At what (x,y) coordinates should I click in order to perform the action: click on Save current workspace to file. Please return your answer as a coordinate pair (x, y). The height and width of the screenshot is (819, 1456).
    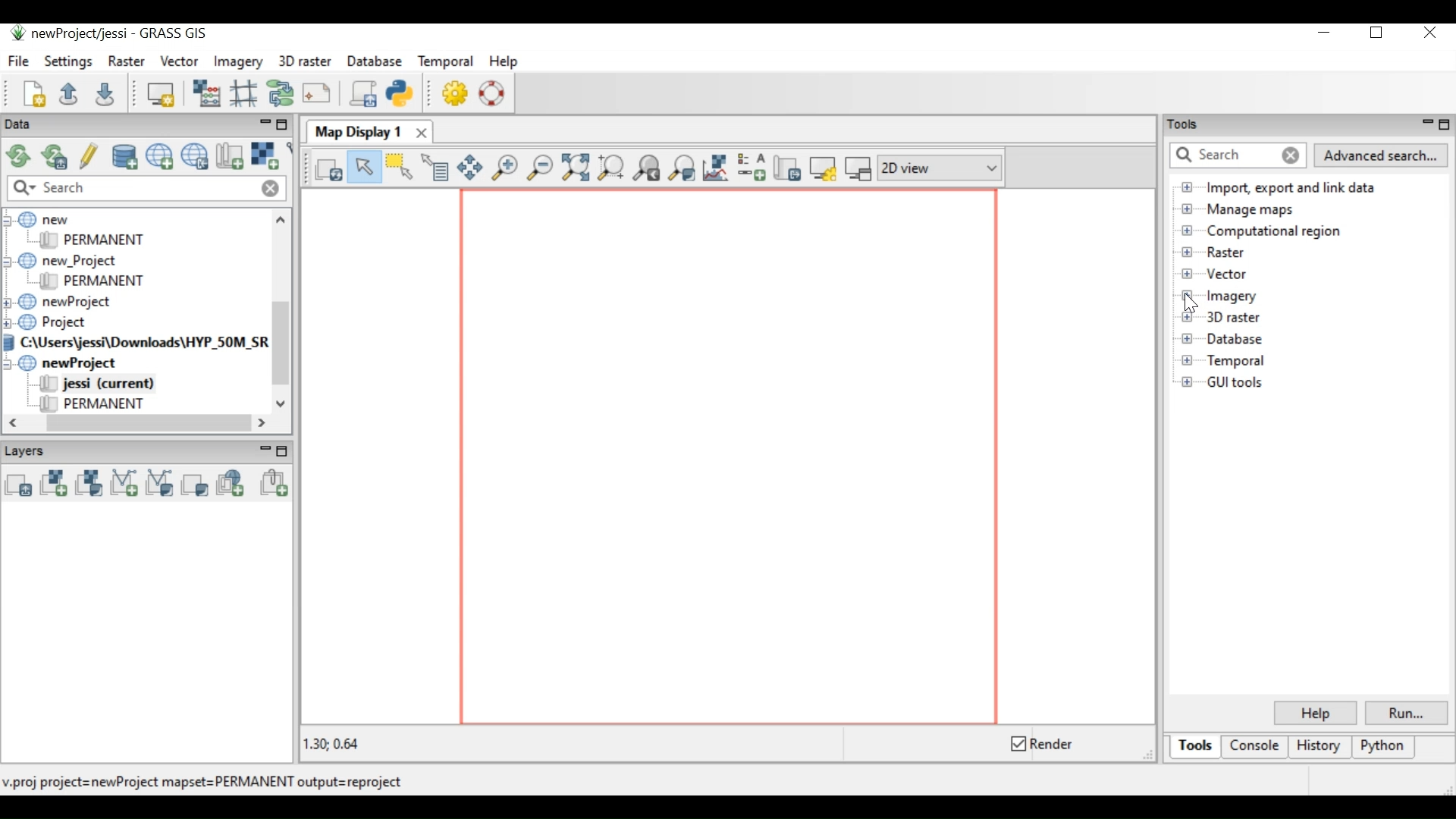
    Looking at the image, I should click on (104, 92).